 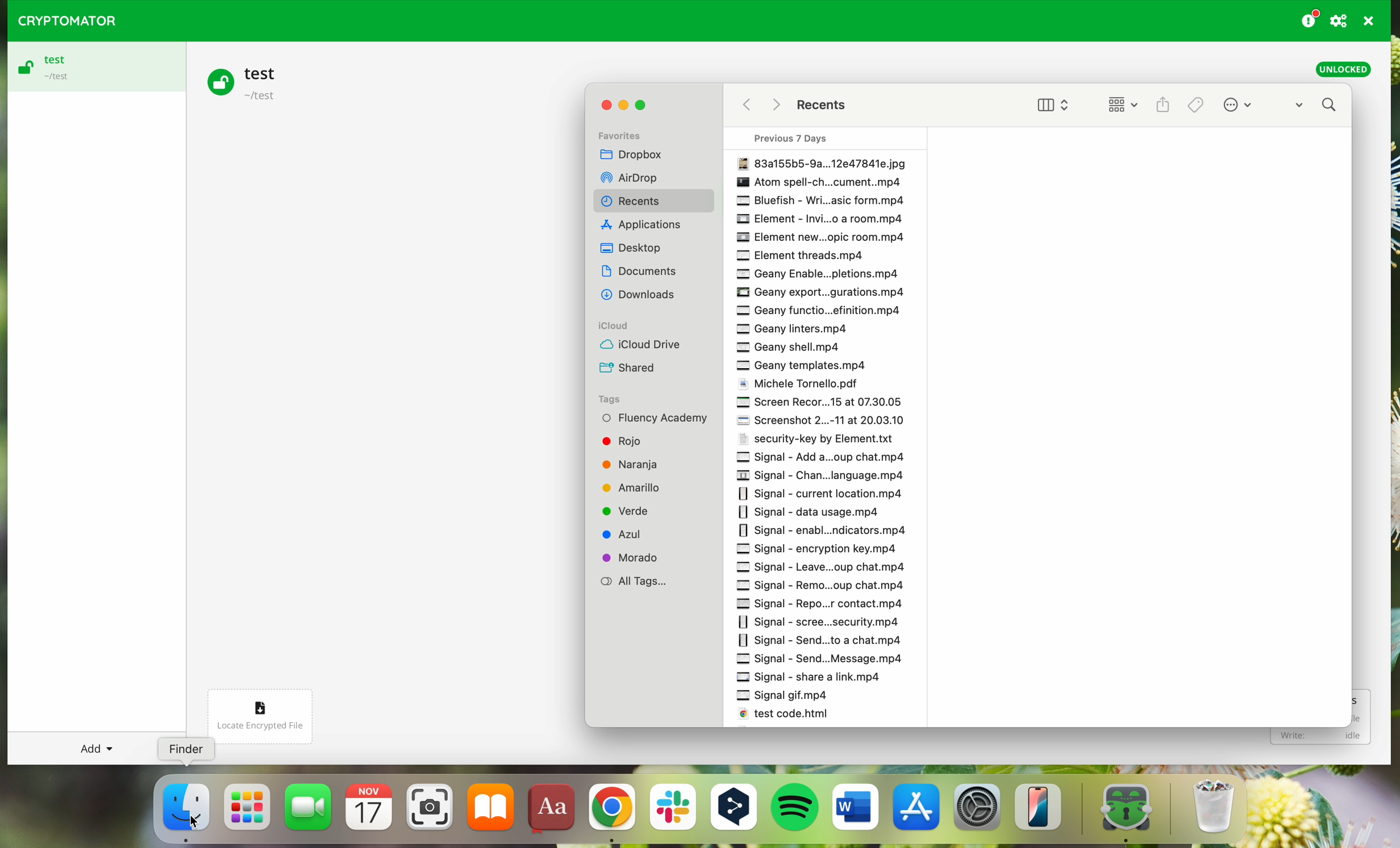 What do you see at coordinates (247, 81) in the screenshot?
I see `test vault` at bounding box center [247, 81].